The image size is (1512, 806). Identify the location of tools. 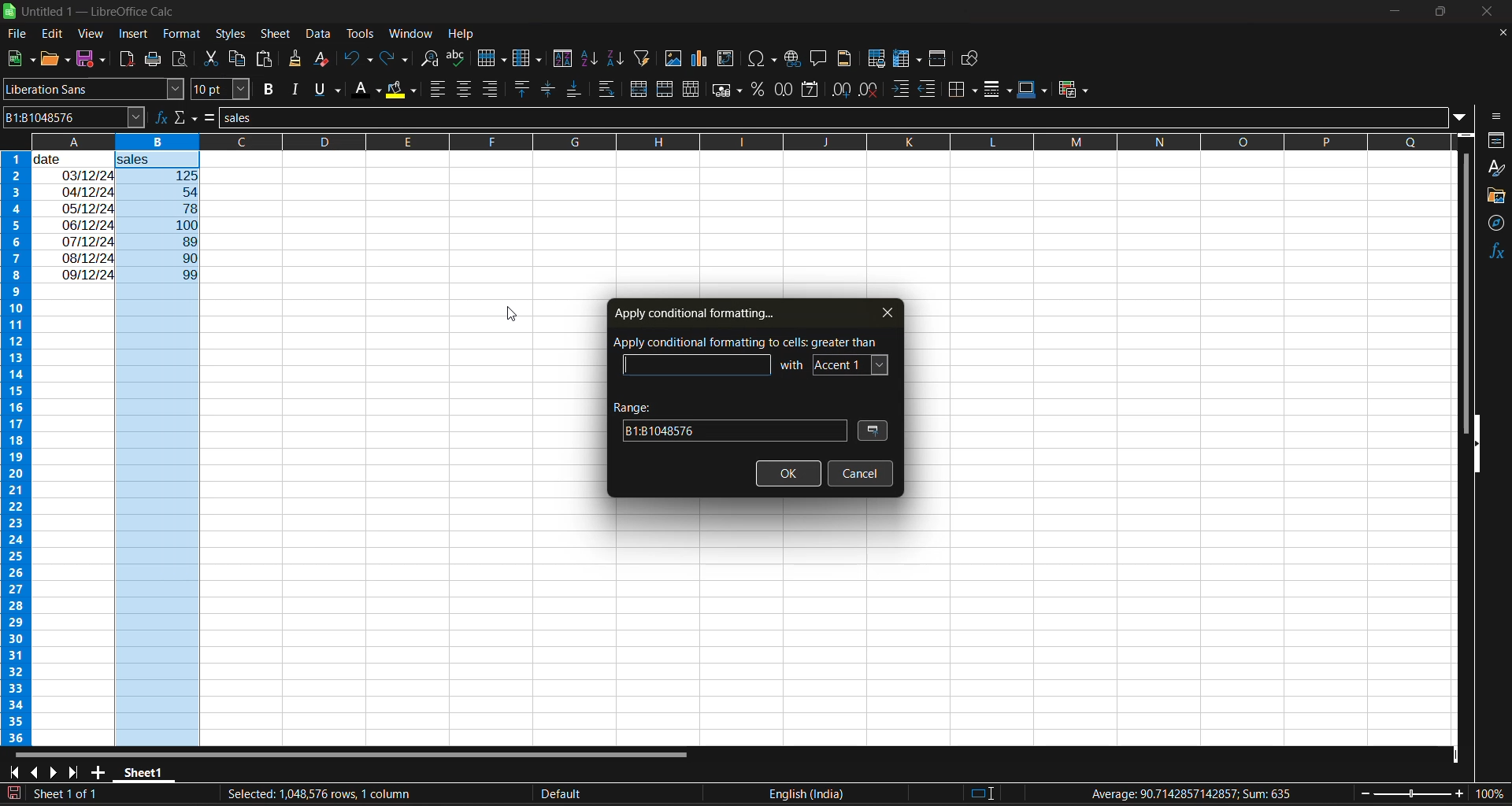
(359, 33).